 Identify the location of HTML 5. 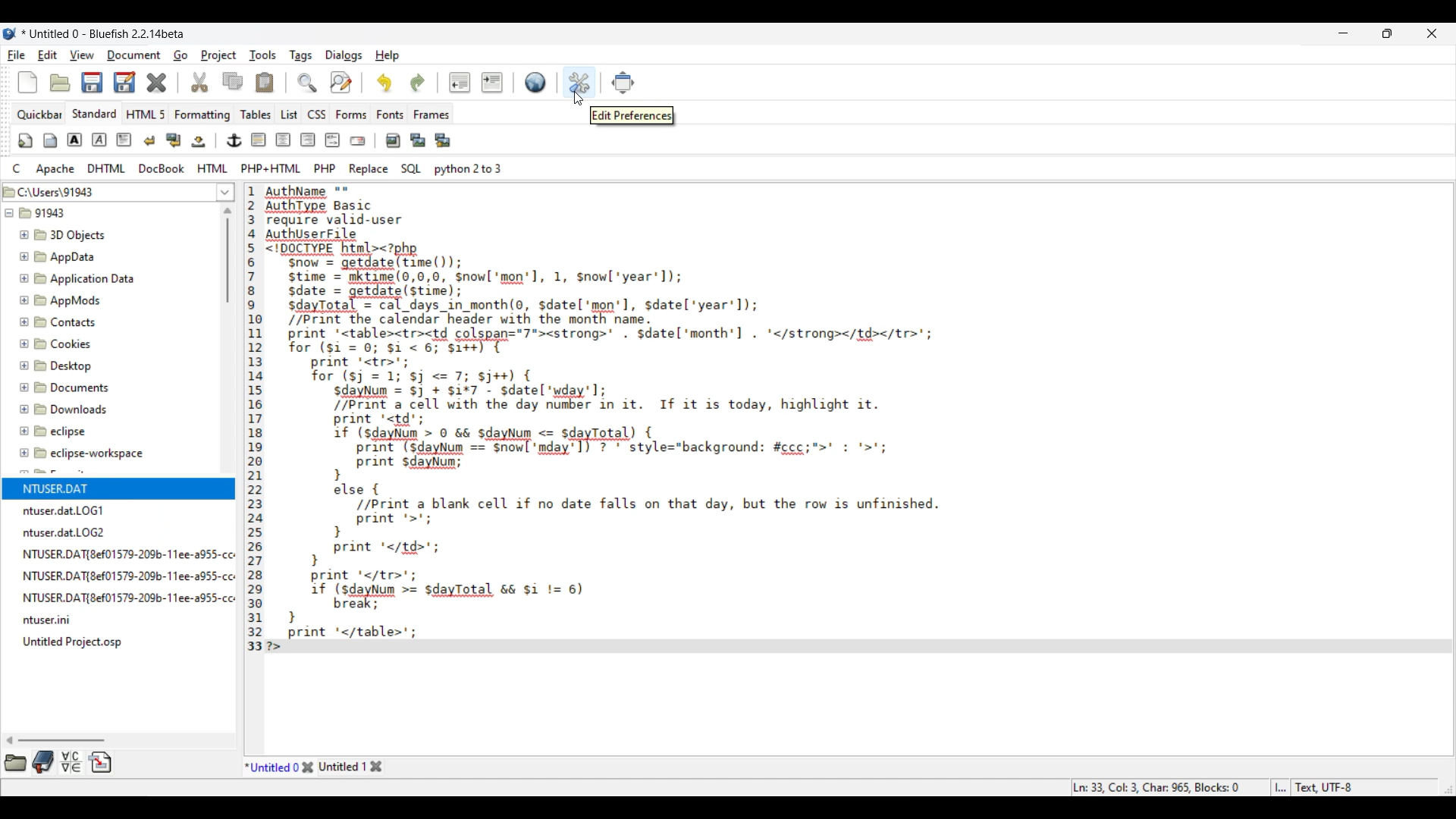
(146, 114).